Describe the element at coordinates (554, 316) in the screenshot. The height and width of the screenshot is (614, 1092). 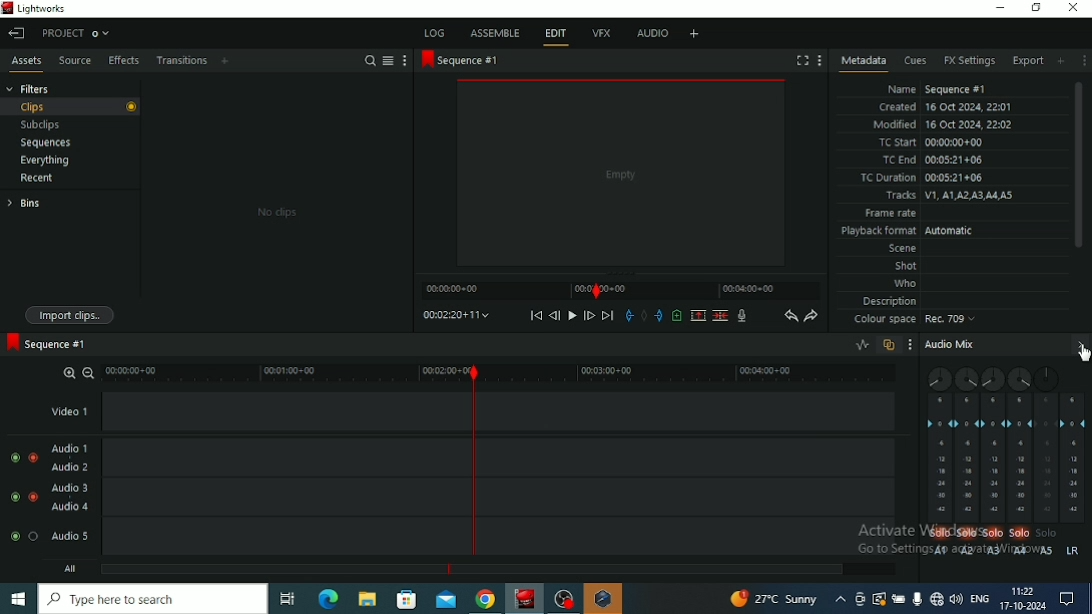
I see `Nudge one frame back` at that location.